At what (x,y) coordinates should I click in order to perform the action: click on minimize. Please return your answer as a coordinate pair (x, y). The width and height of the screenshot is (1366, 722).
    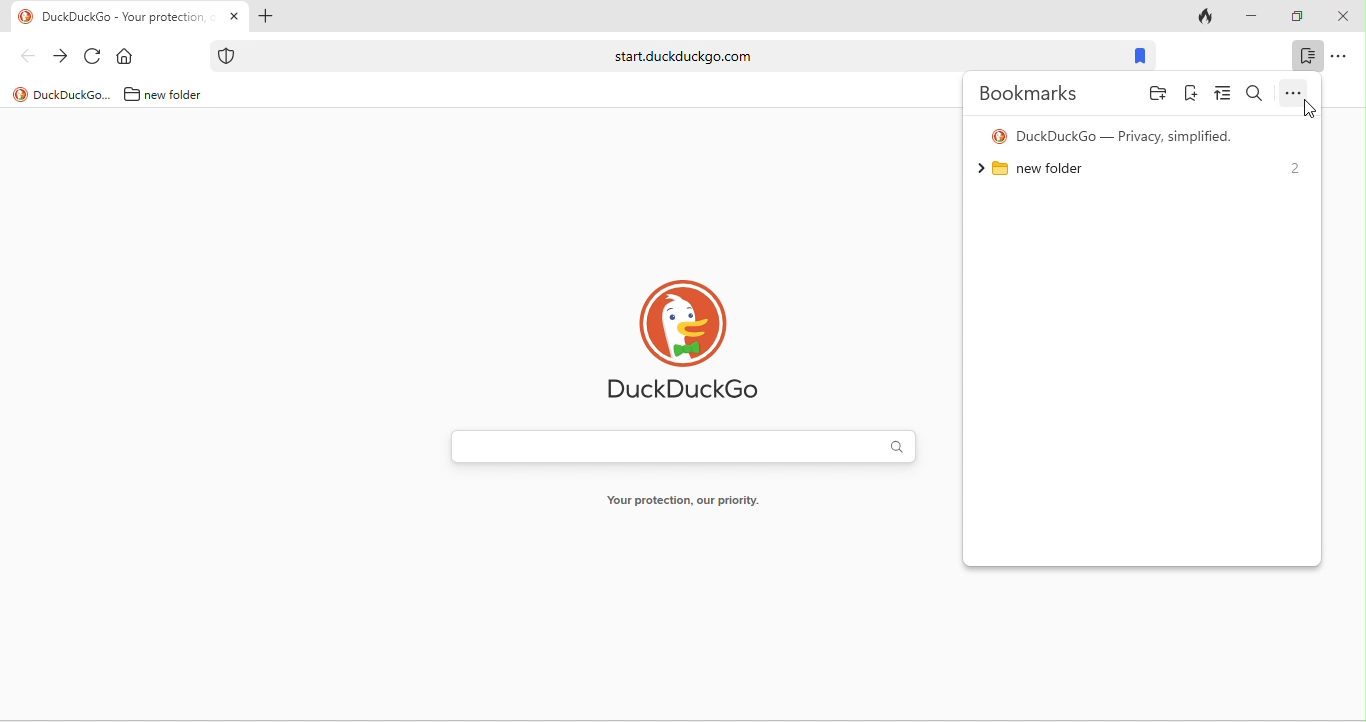
    Looking at the image, I should click on (1252, 17).